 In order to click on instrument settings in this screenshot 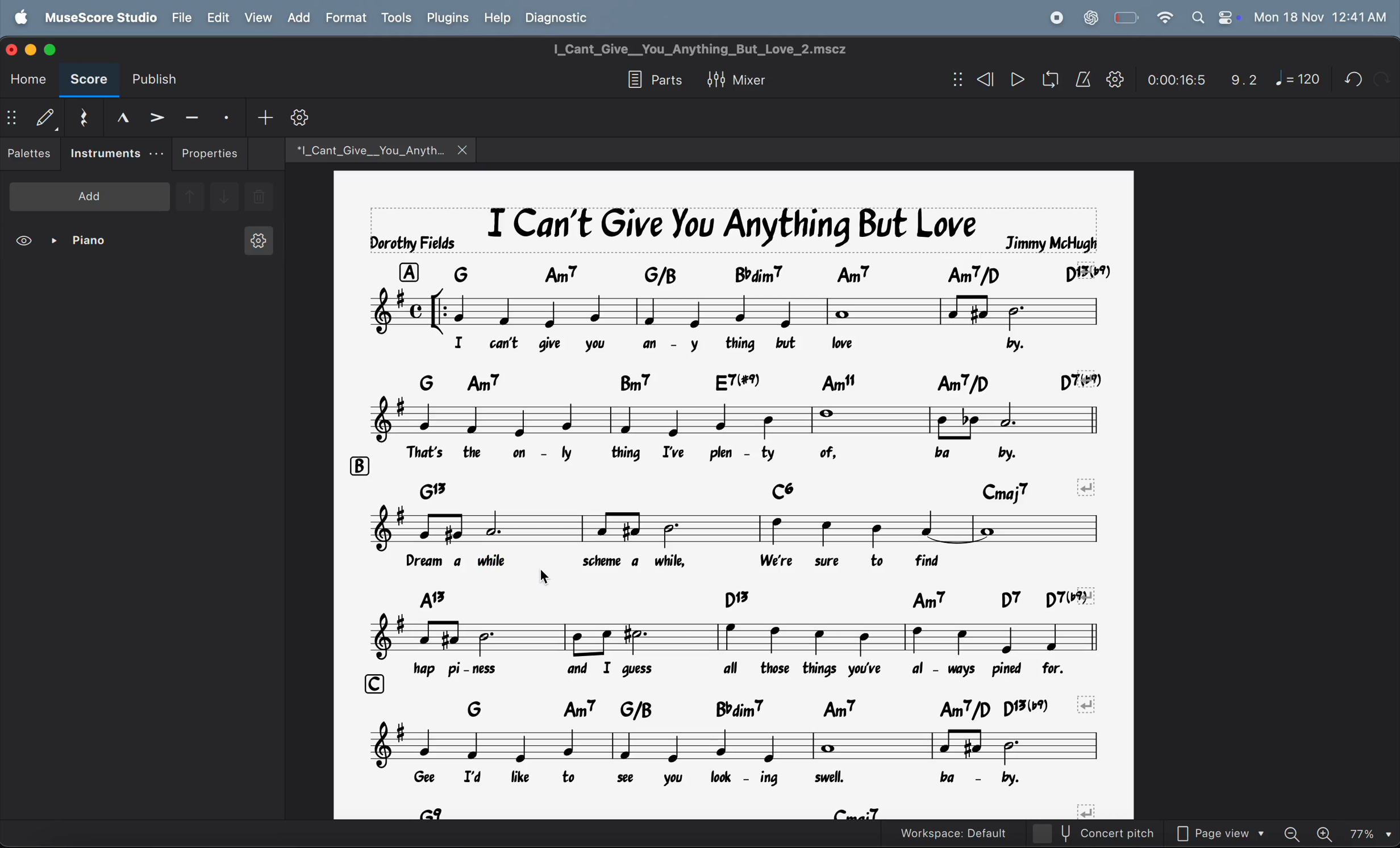, I will do `click(251, 240)`.